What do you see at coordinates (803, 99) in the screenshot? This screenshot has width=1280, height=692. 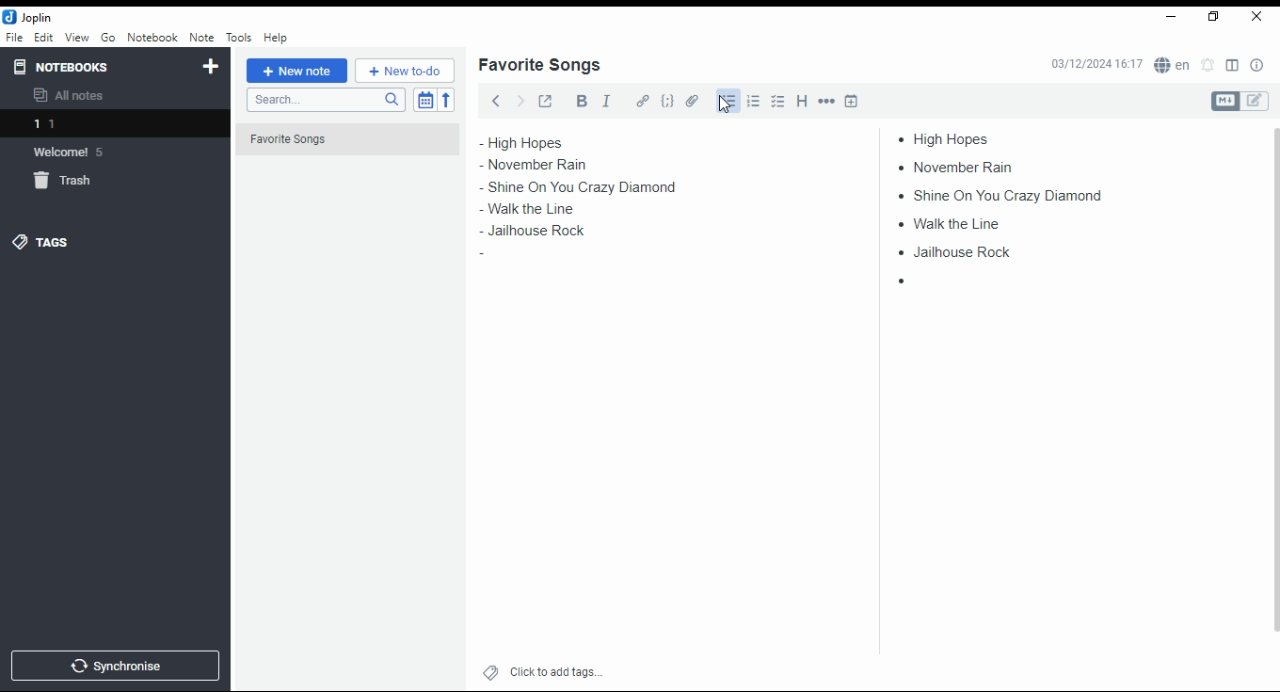 I see `heading` at bounding box center [803, 99].